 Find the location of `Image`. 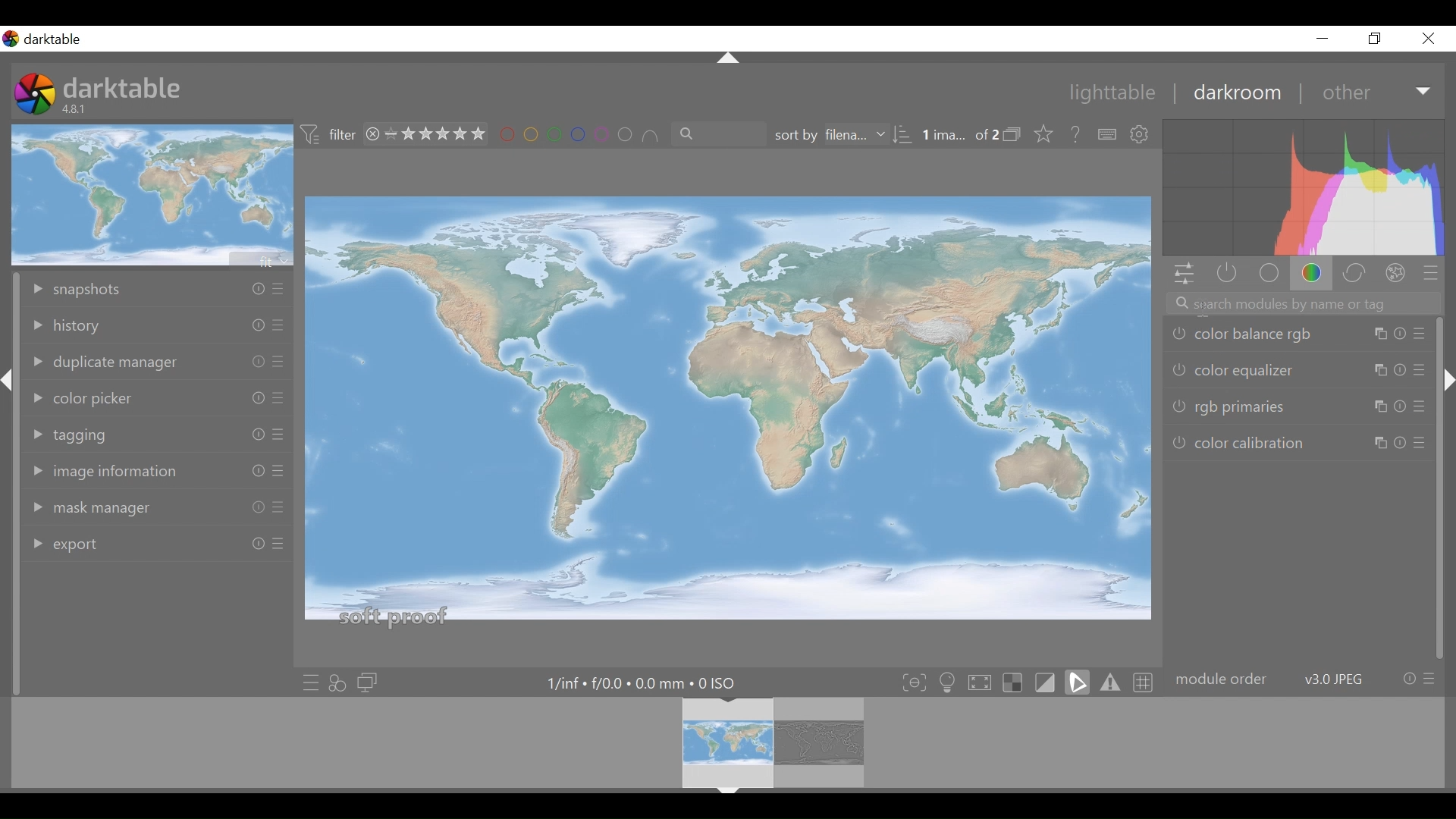

Image is located at coordinates (726, 397).